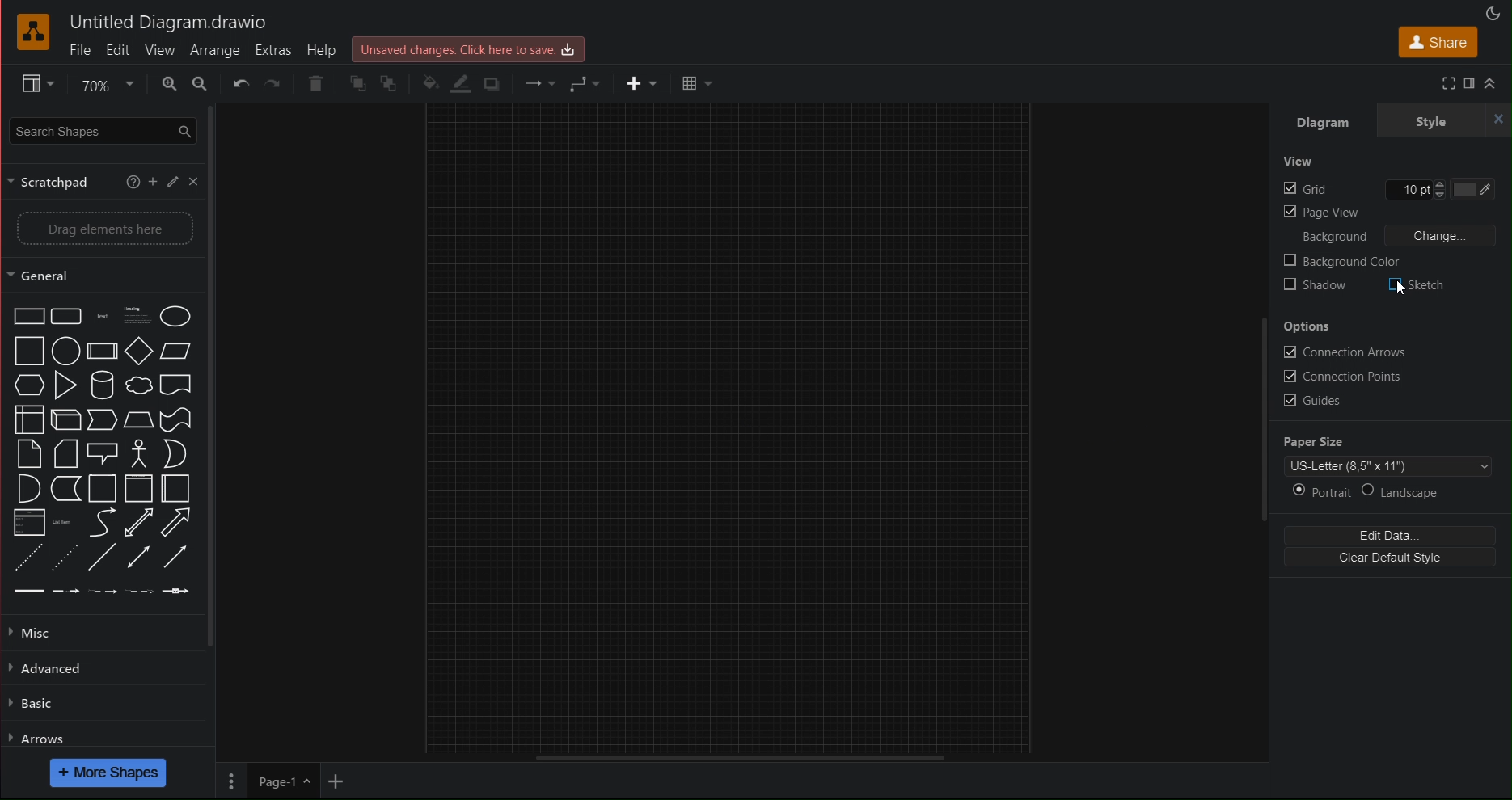  Describe the element at coordinates (424, 82) in the screenshot. I see `Fill Color` at that location.